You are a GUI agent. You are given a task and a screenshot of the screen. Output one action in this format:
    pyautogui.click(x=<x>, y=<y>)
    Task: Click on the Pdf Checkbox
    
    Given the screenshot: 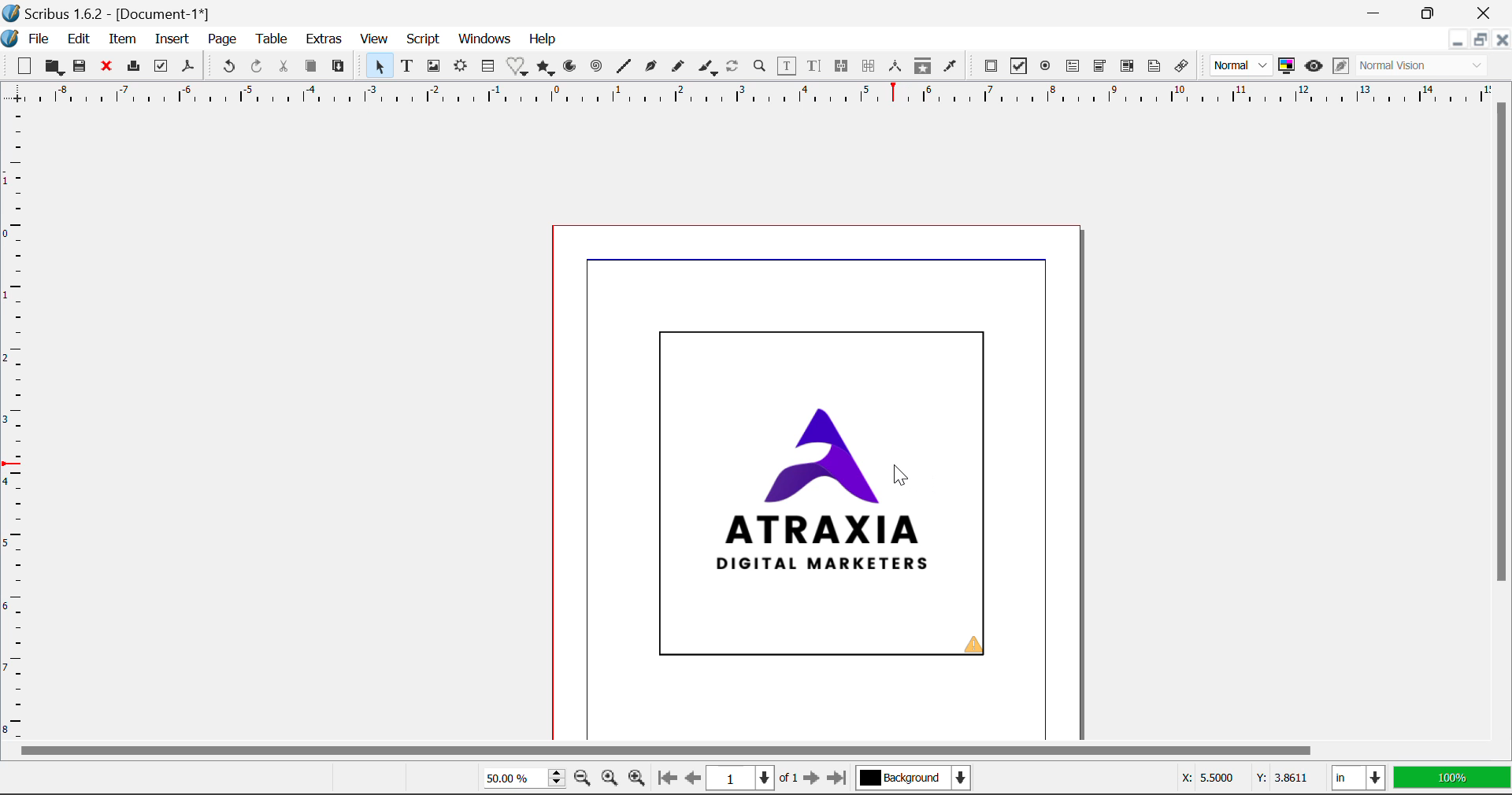 What is the action you would take?
    pyautogui.click(x=1019, y=66)
    